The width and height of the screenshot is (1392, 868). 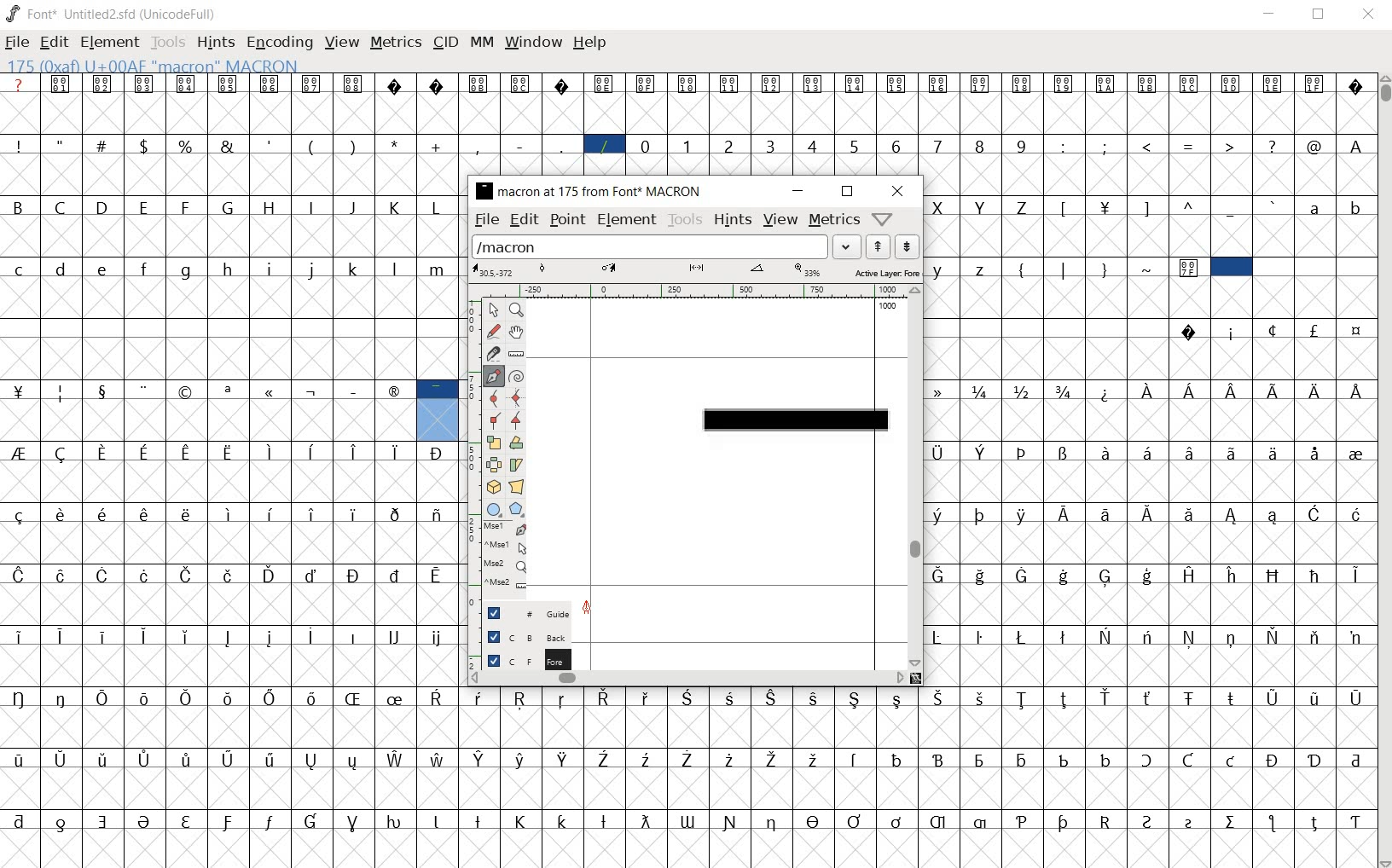 What do you see at coordinates (857, 145) in the screenshot?
I see `5` at bounding box center [857, 145].